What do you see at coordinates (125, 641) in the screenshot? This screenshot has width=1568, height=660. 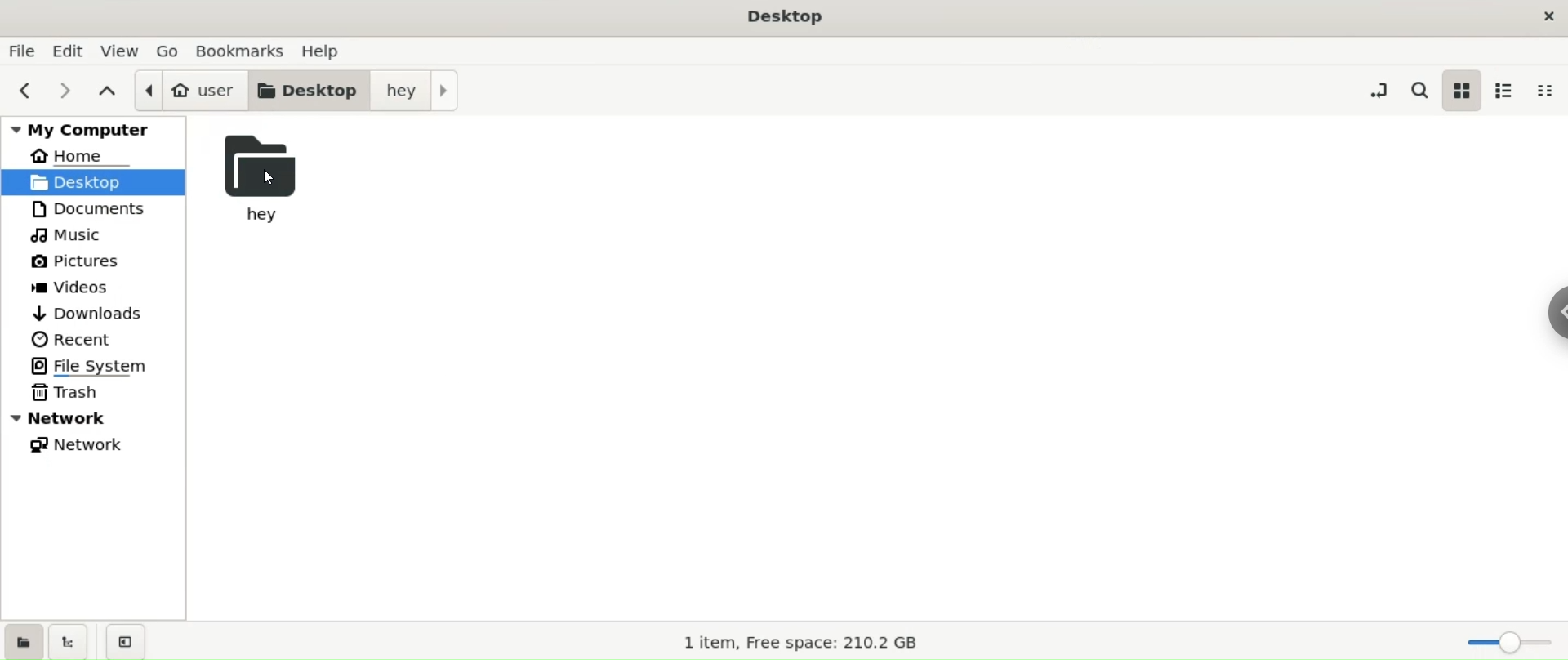 I see `close sidebar` at bounding box center [125, 641].